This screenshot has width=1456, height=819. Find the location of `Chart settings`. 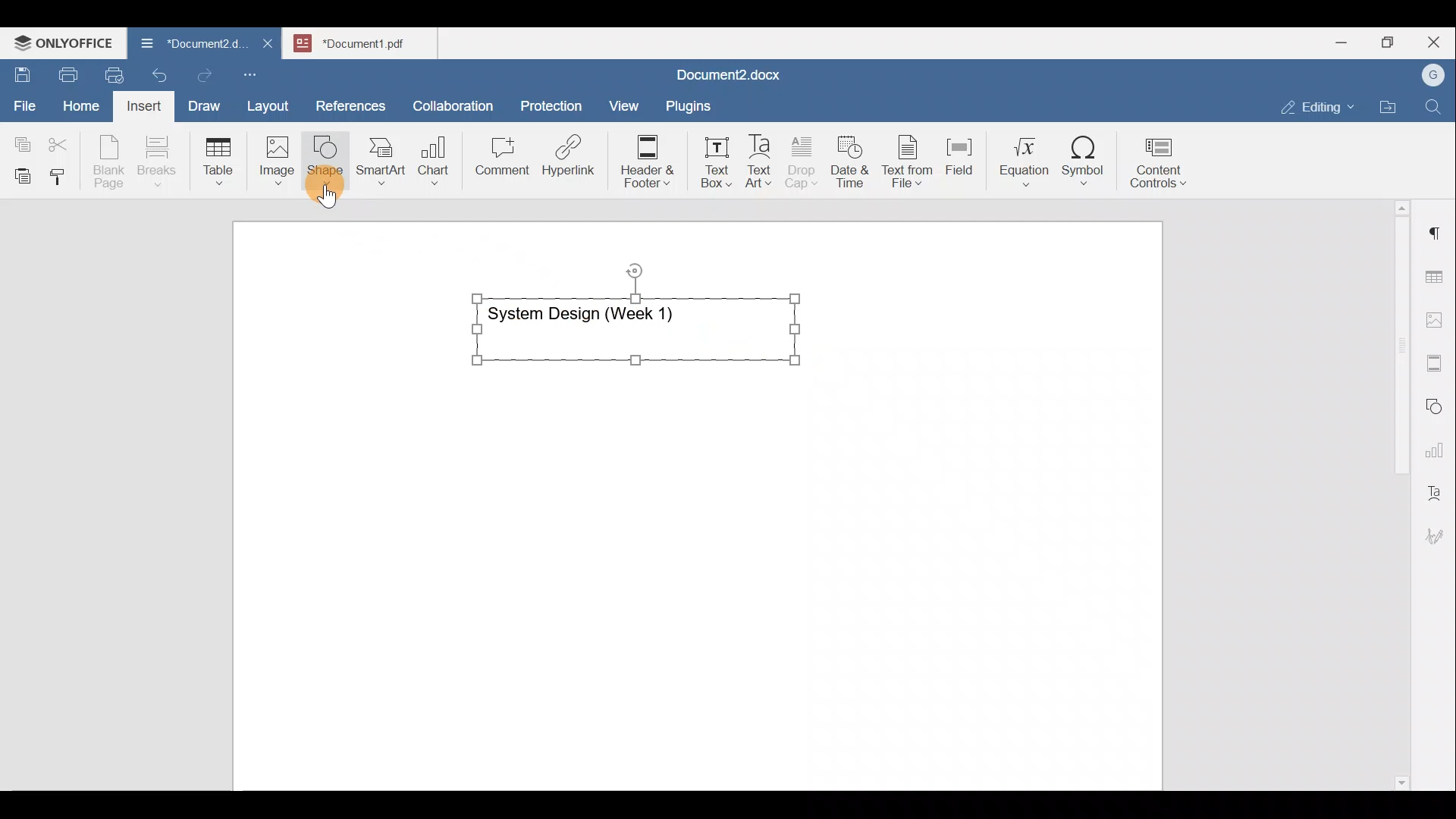

Chart settings is located at coordinates (1438, 444).